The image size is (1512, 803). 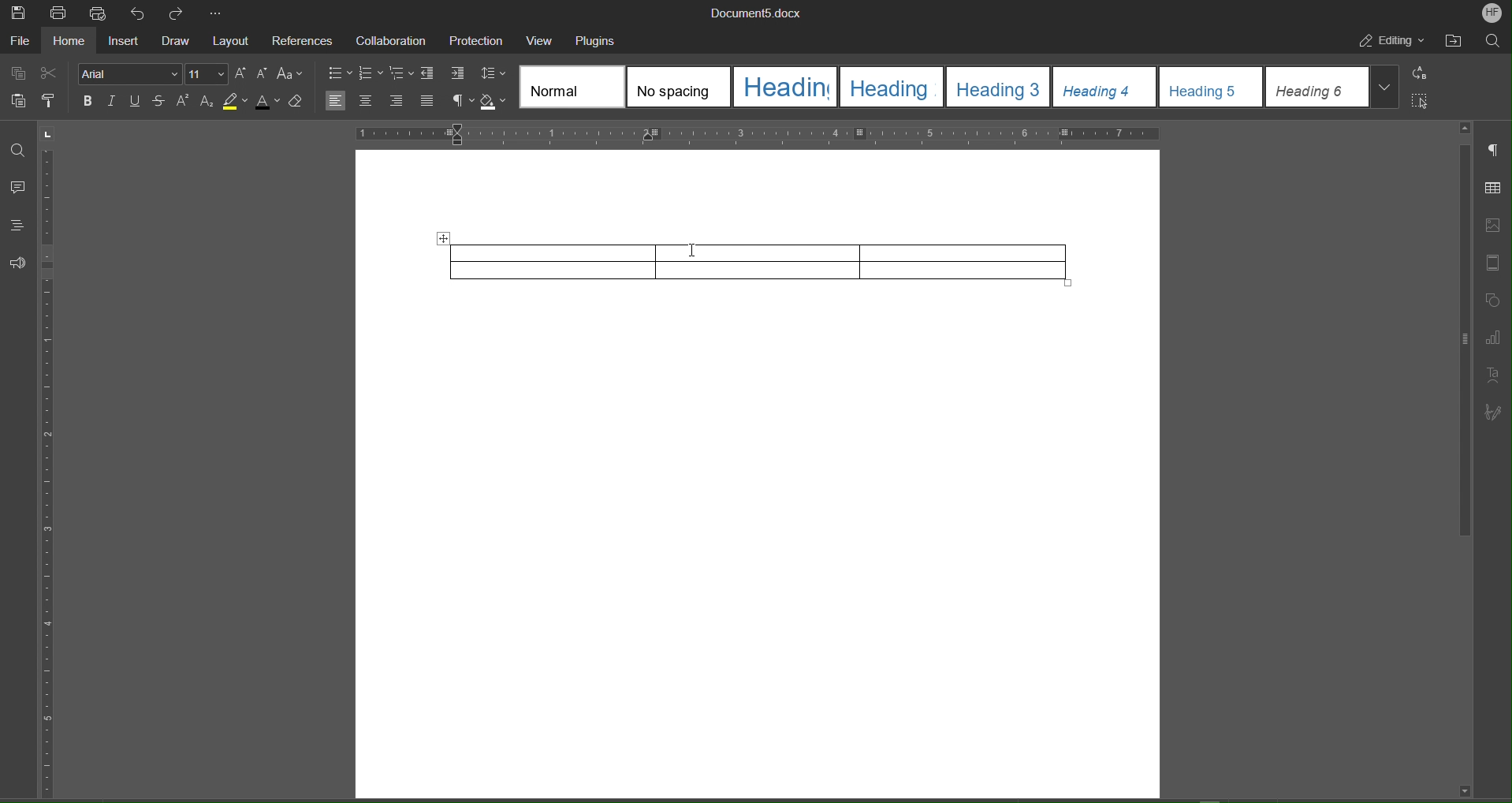 What do you see at coordinates (20, 43) in the screenshot?
I see `File` at bounding box center [20, 43].